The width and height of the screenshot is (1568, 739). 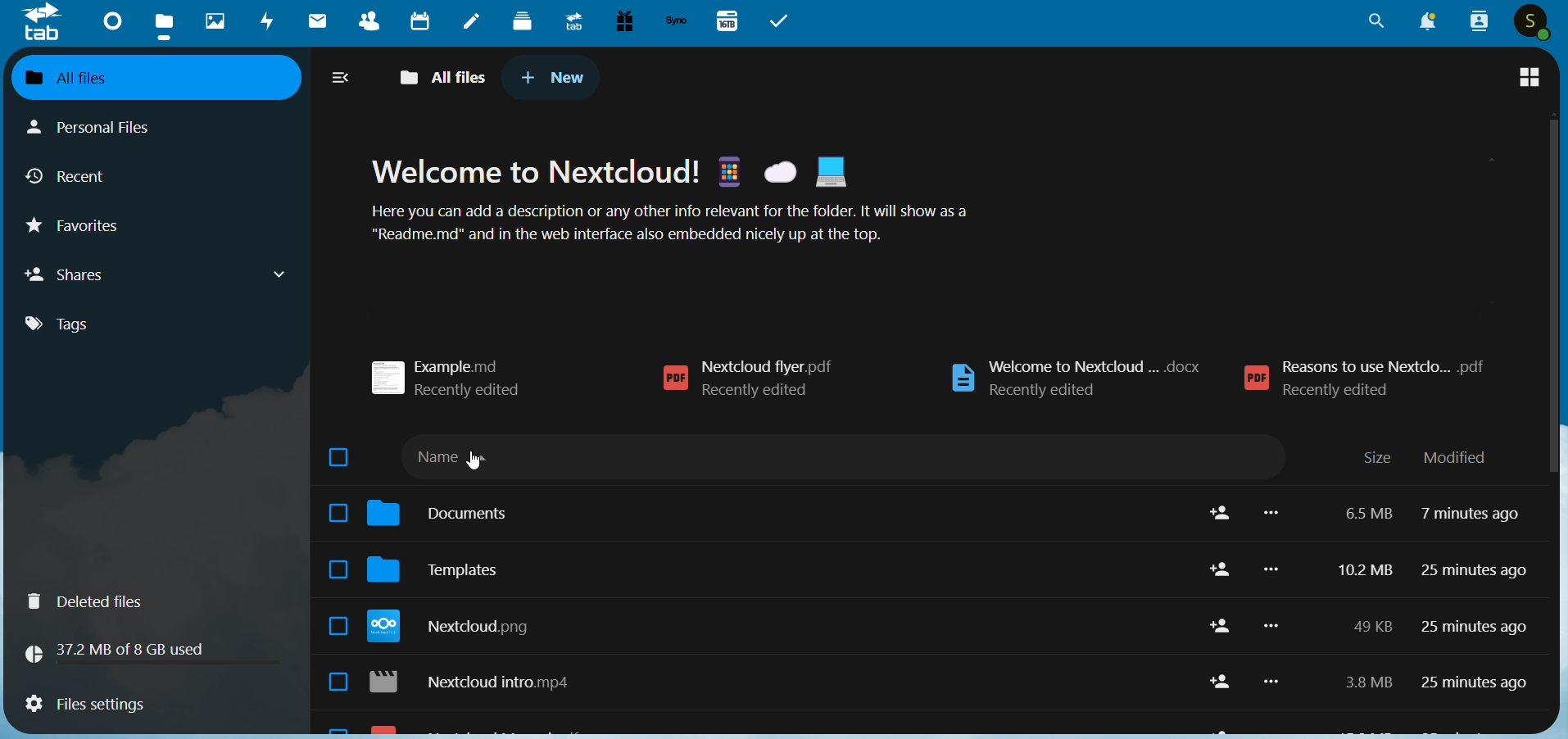 What do you see at coordinates (125, 177) in the screenshot?
I see `Recent` at bounding box center [125, 177].